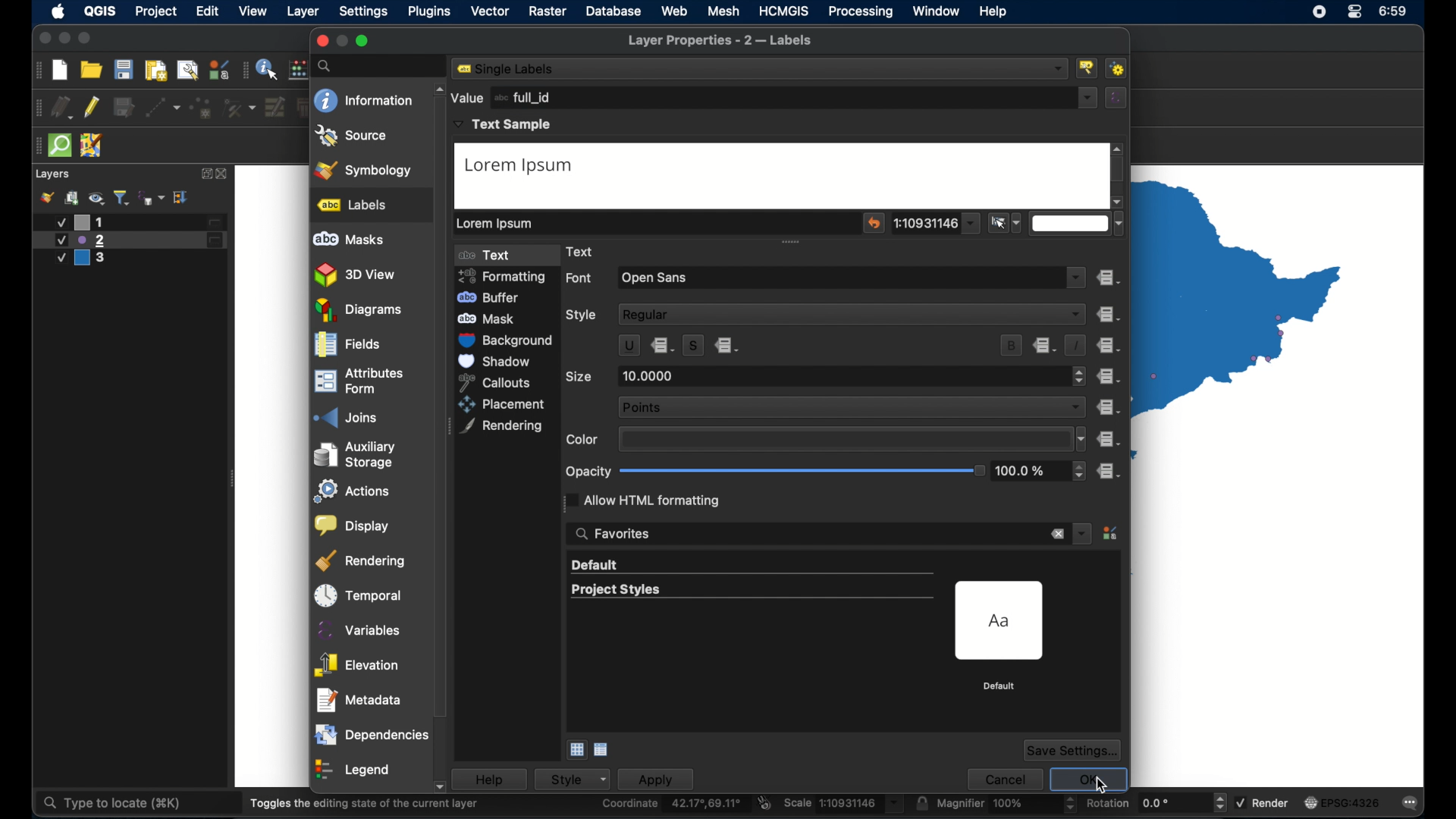 This screenshot has height=819, width=1456. Describe the element at coordinates (1079, 439) in the screenshot. I see `dropdown menu` at that location.